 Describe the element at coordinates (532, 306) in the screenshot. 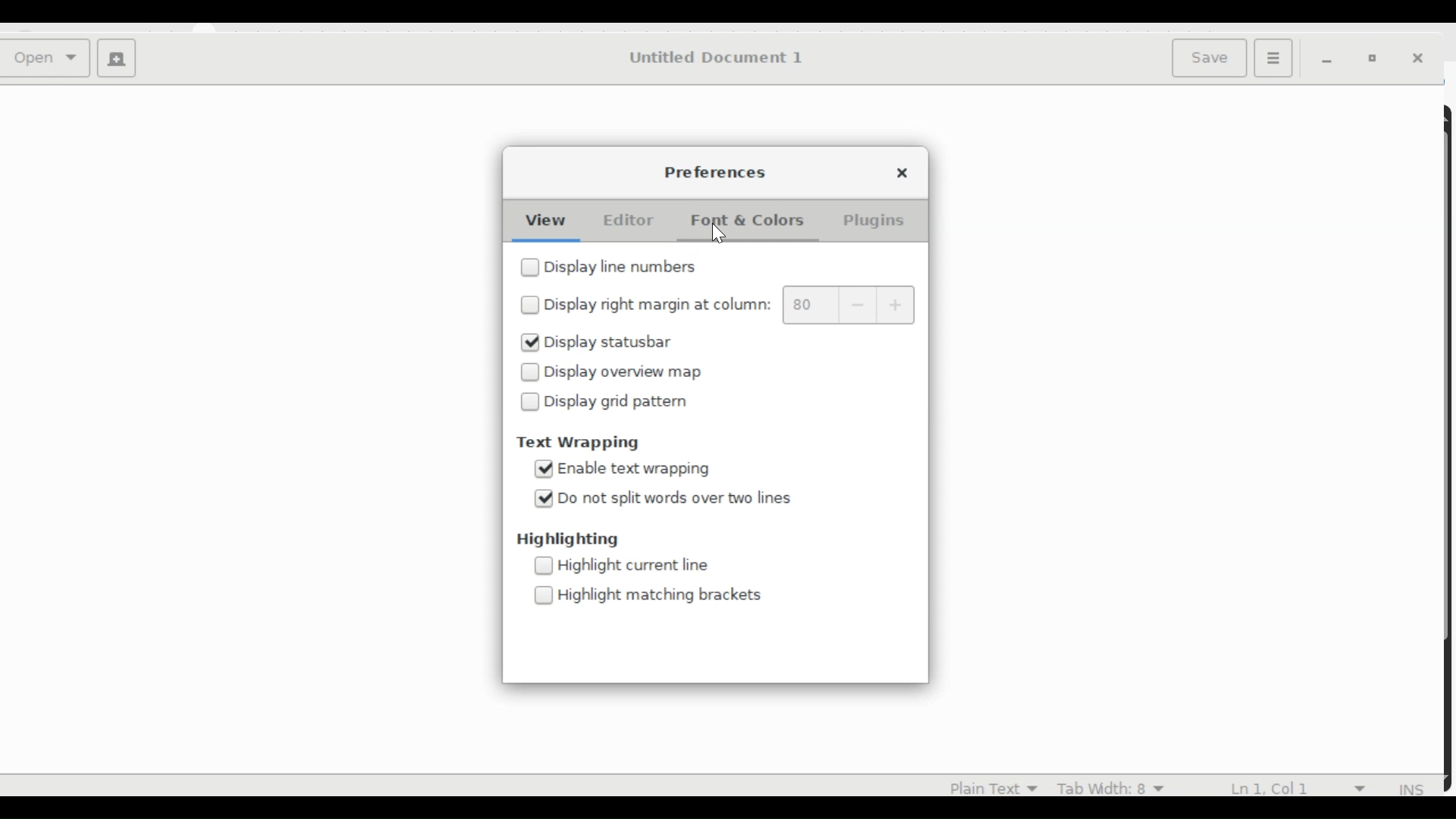

I see `checkbox` at that location.